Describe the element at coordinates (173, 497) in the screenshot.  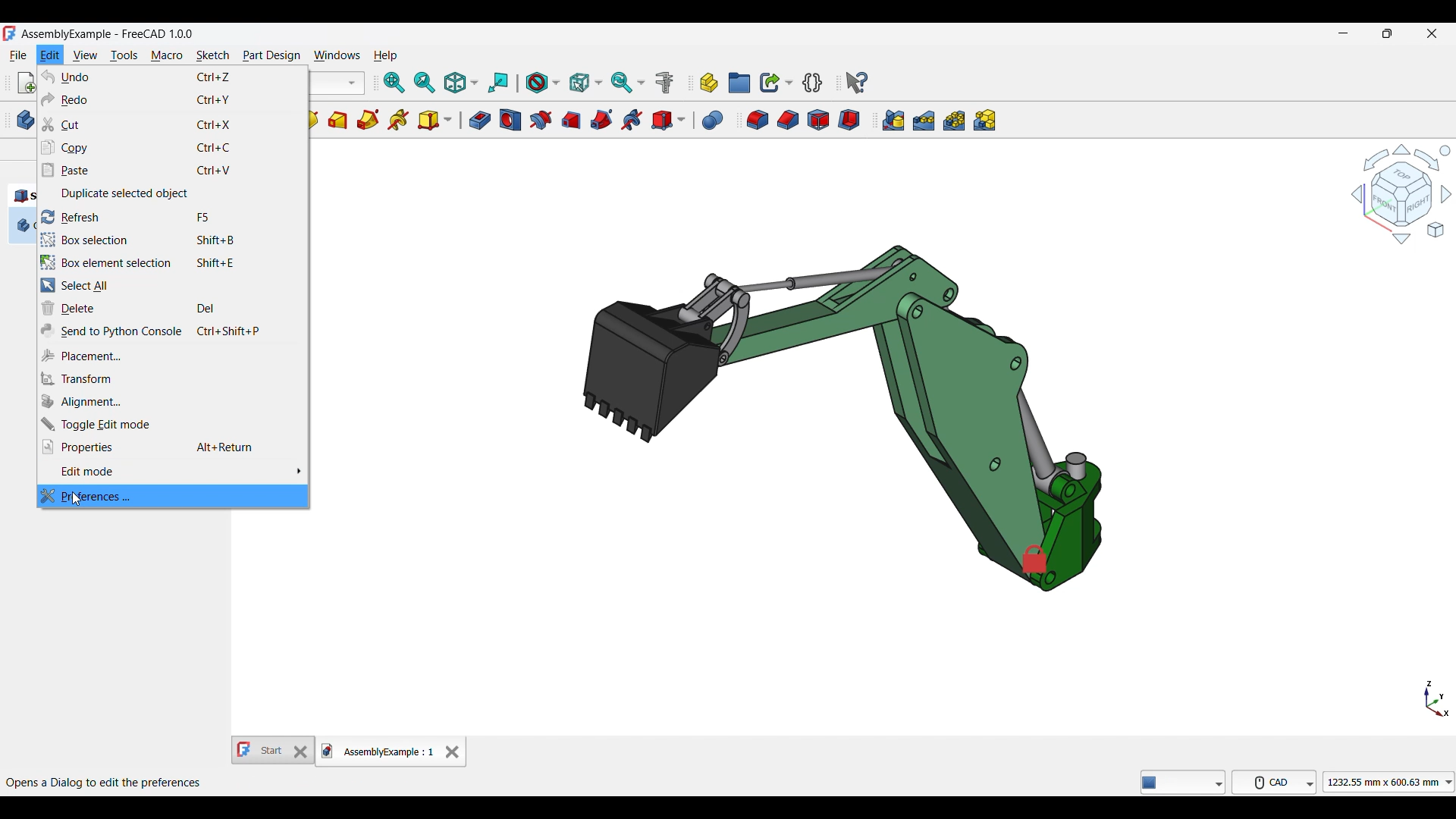
I see `Preferences, highlighted` at that location.